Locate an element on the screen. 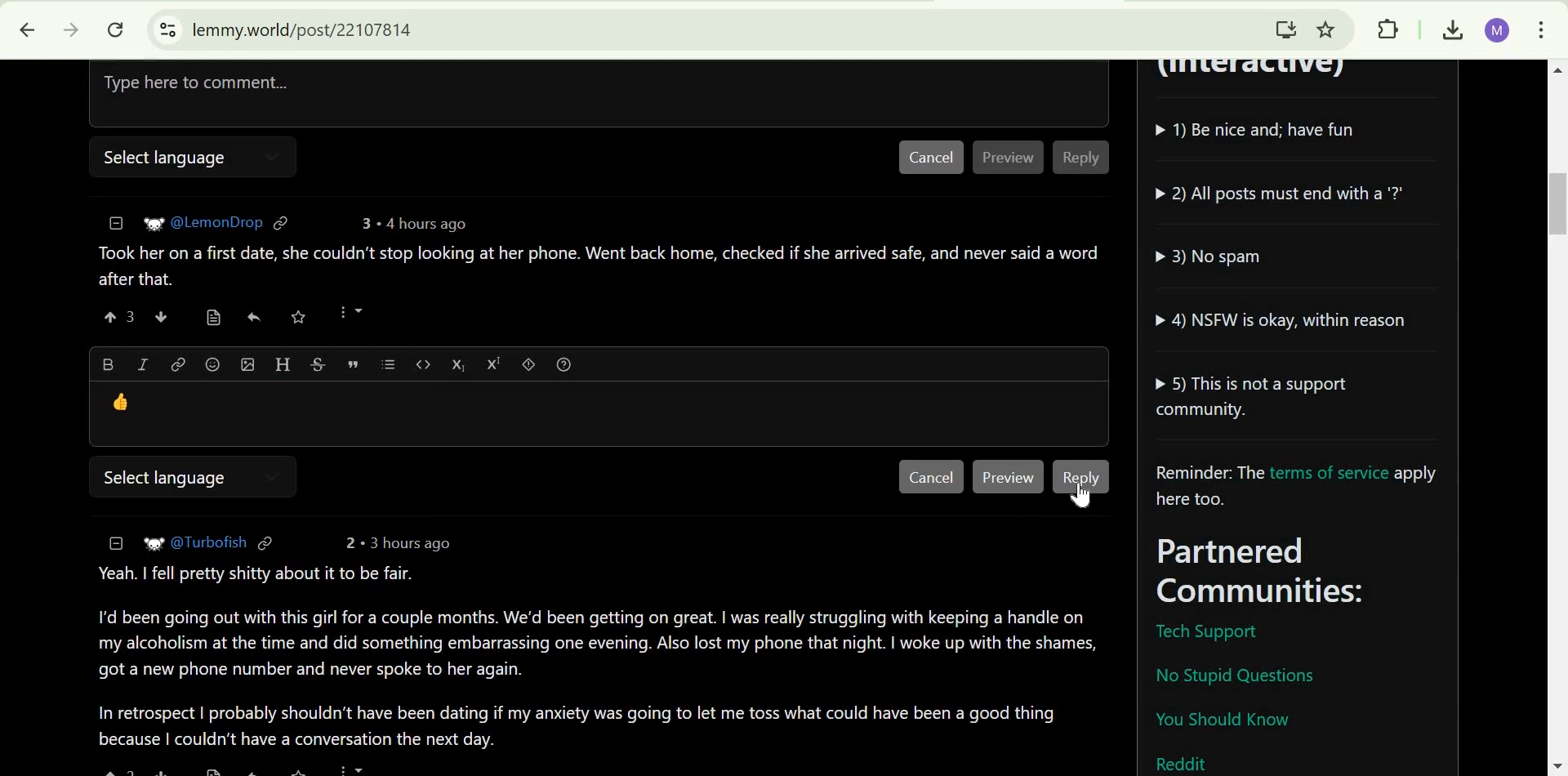 The height and width of the screenshot is (776, 1568). more options is located at coordinates (351, 312).